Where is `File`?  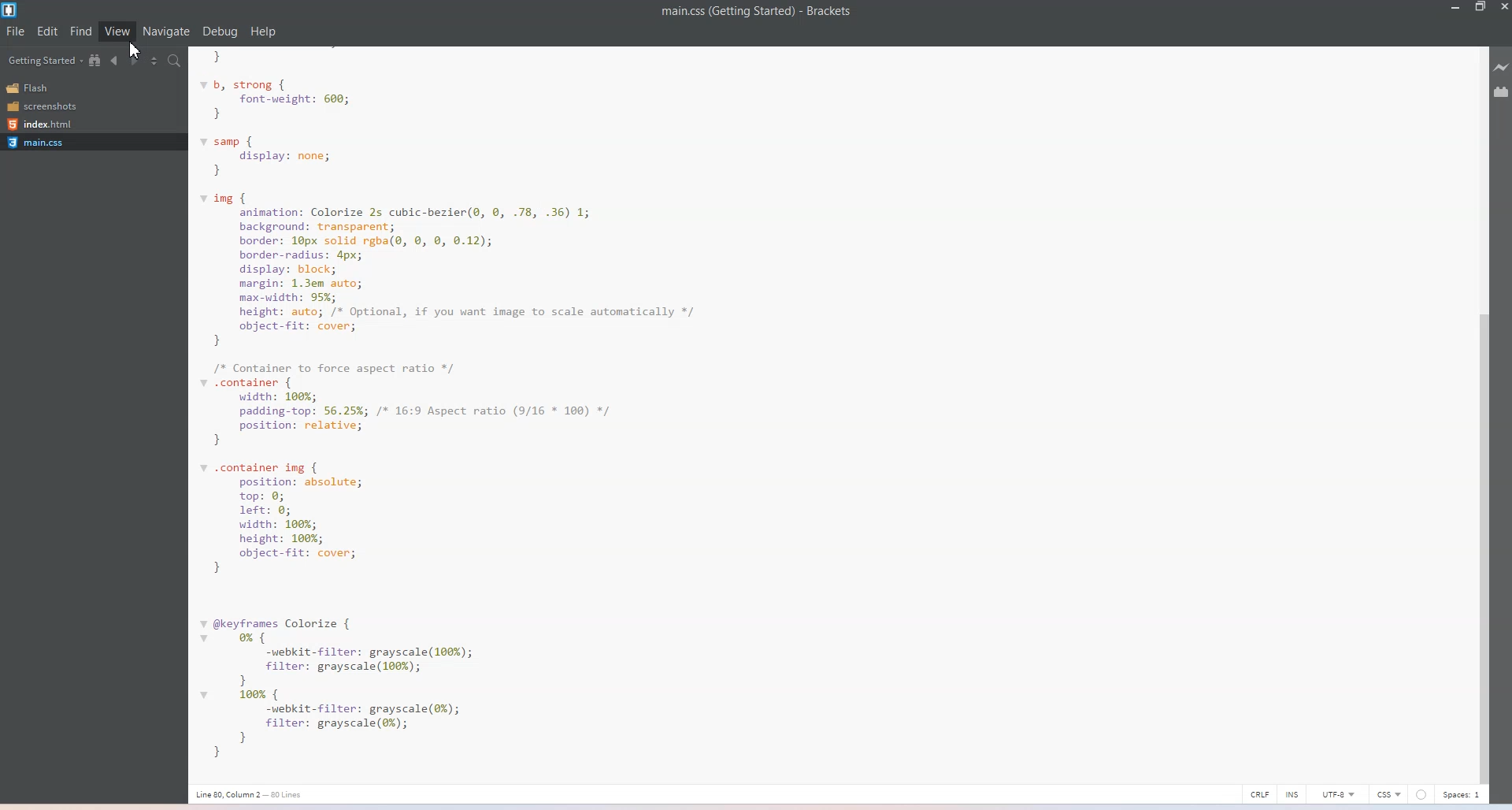
File is located at coordinates (15, 31).